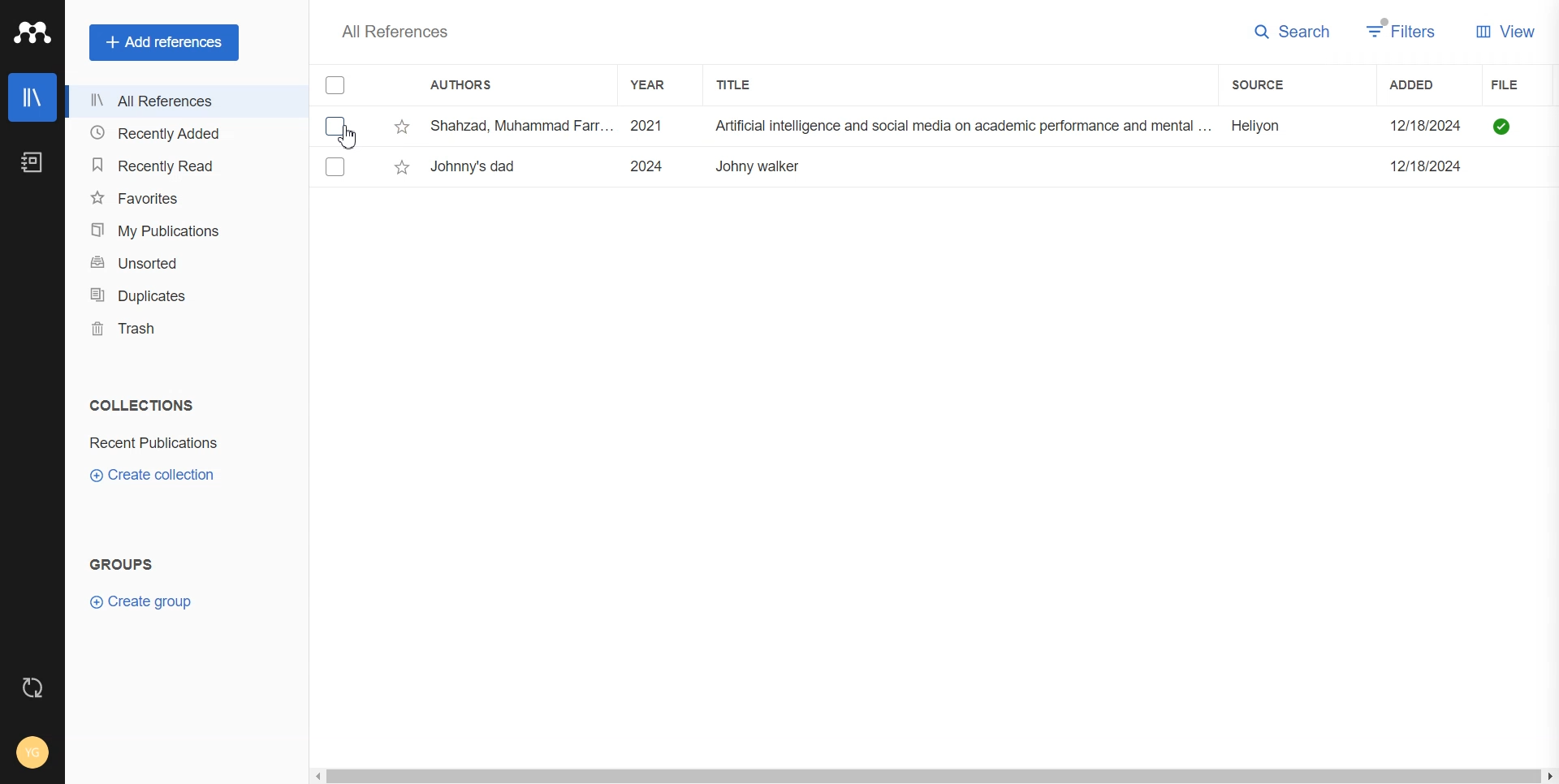 Image resolution: width=1559 pixels, height=784 pixels. What do you see at coordinates (122, 564) in the screenshot?
I see `Text 2` at bounding box center [122, 564].